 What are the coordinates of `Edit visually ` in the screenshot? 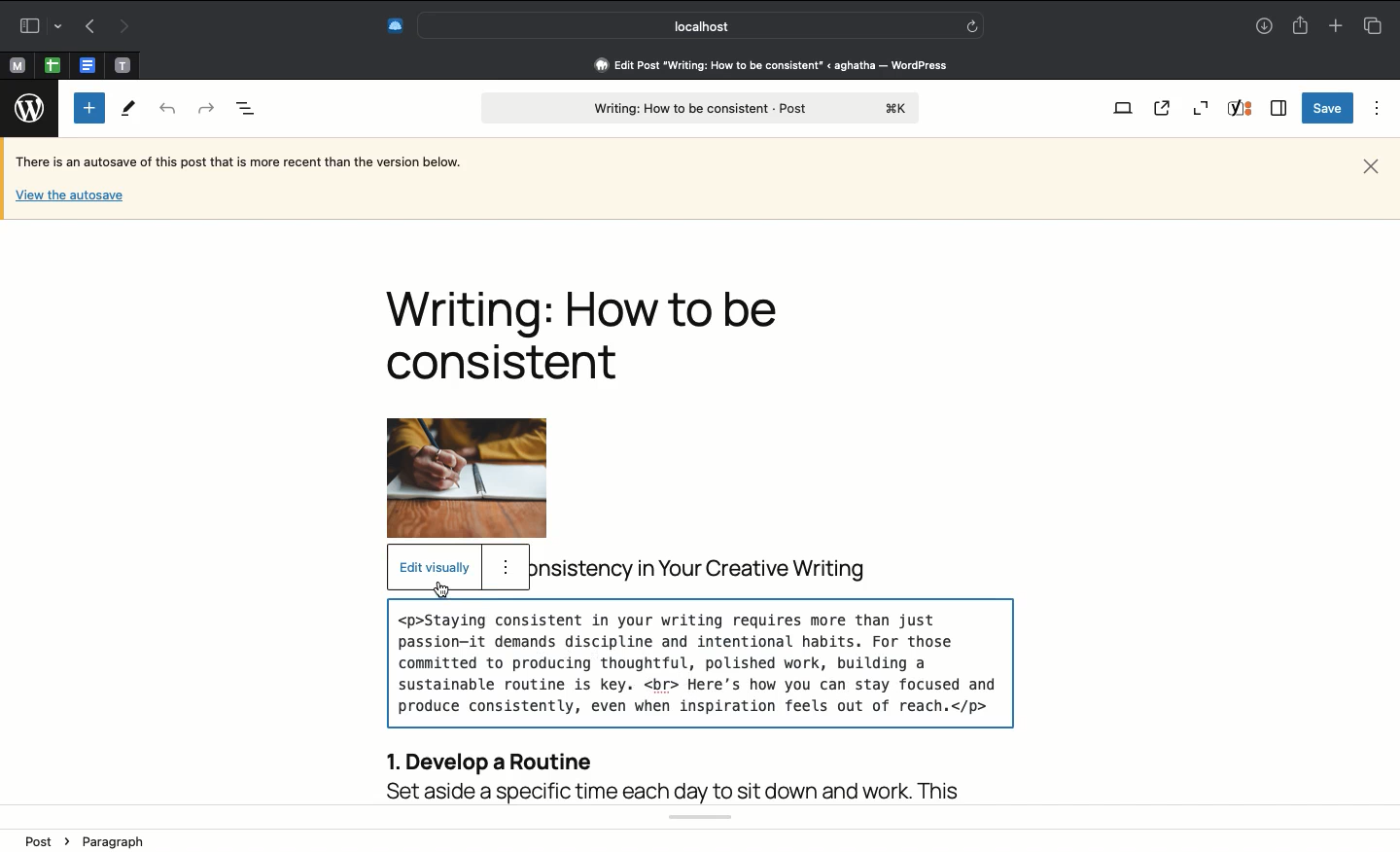 It's located at (432, 568).